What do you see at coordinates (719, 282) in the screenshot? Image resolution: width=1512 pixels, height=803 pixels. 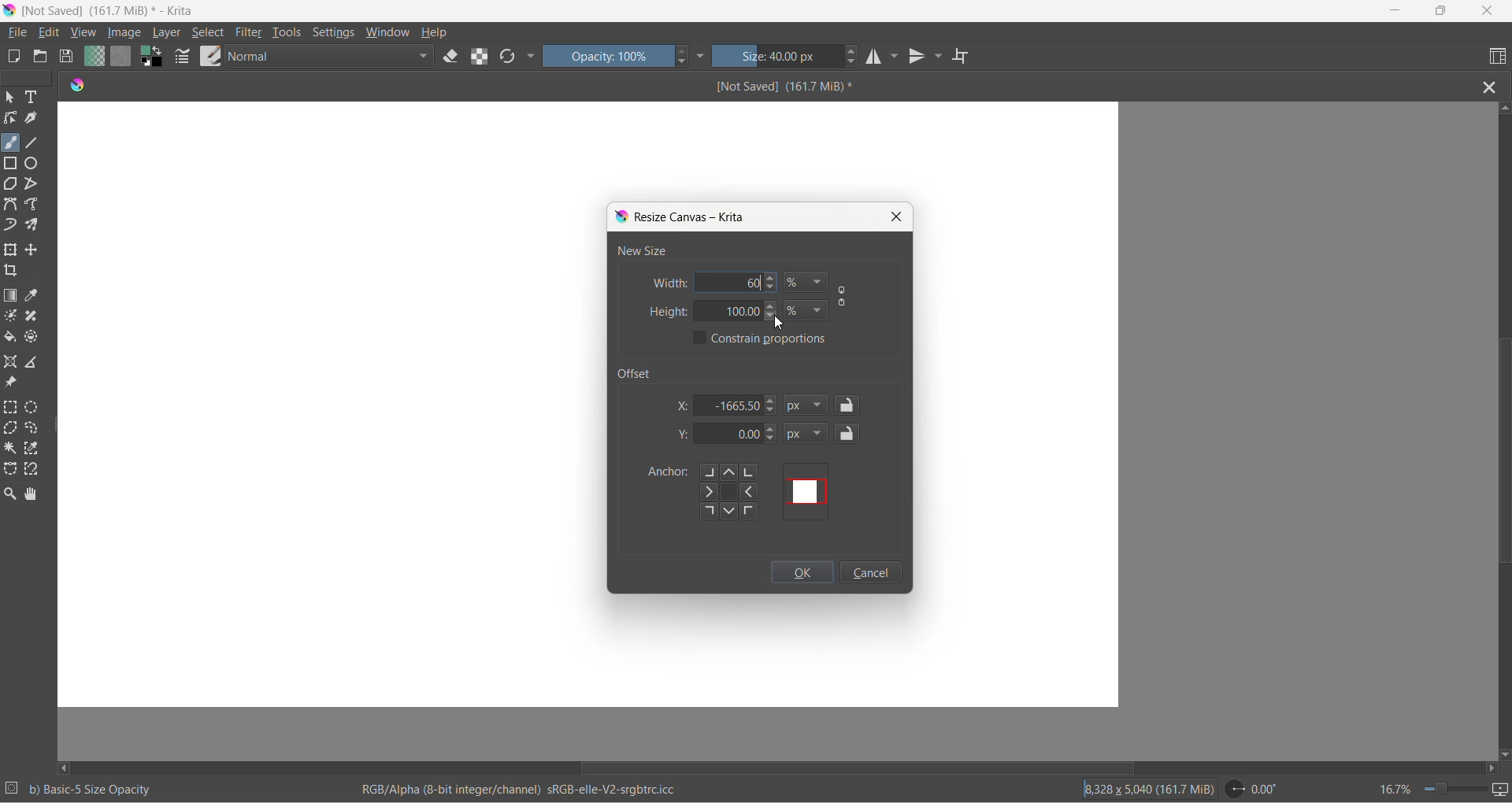 I see `width value box` at bounding box center [719, 282].